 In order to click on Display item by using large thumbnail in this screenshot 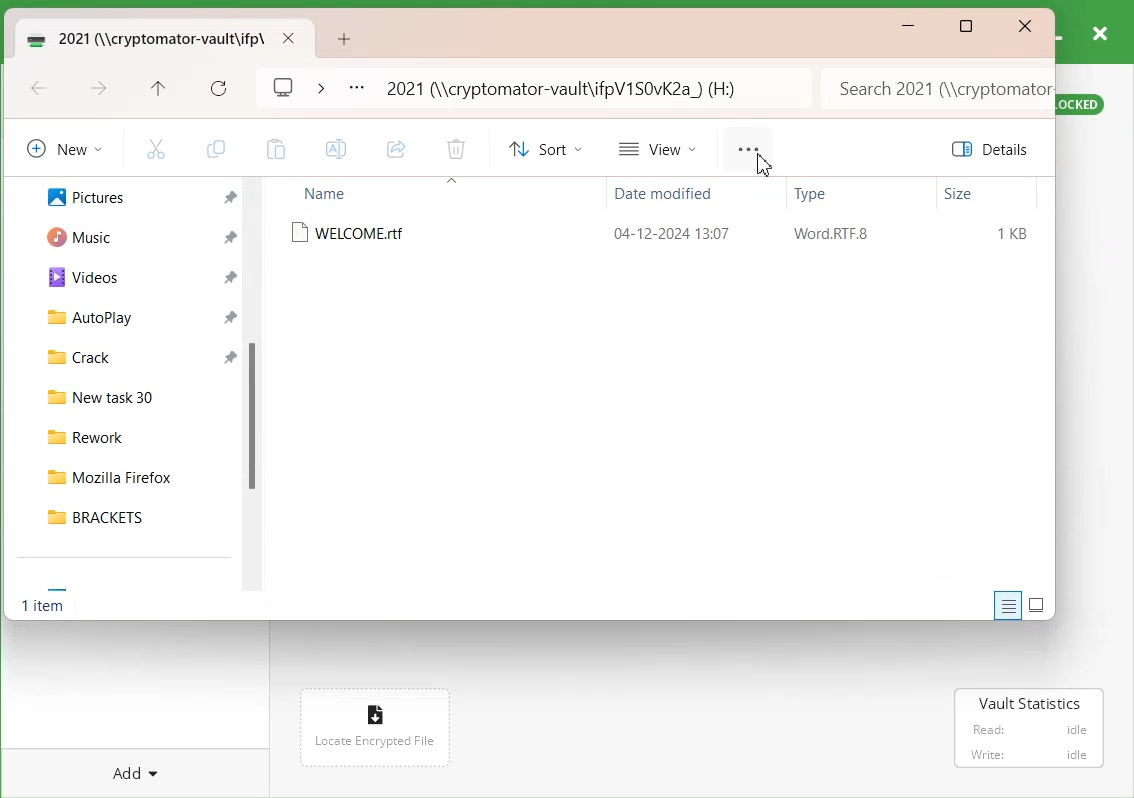, I will do `click(1039, 605)`.